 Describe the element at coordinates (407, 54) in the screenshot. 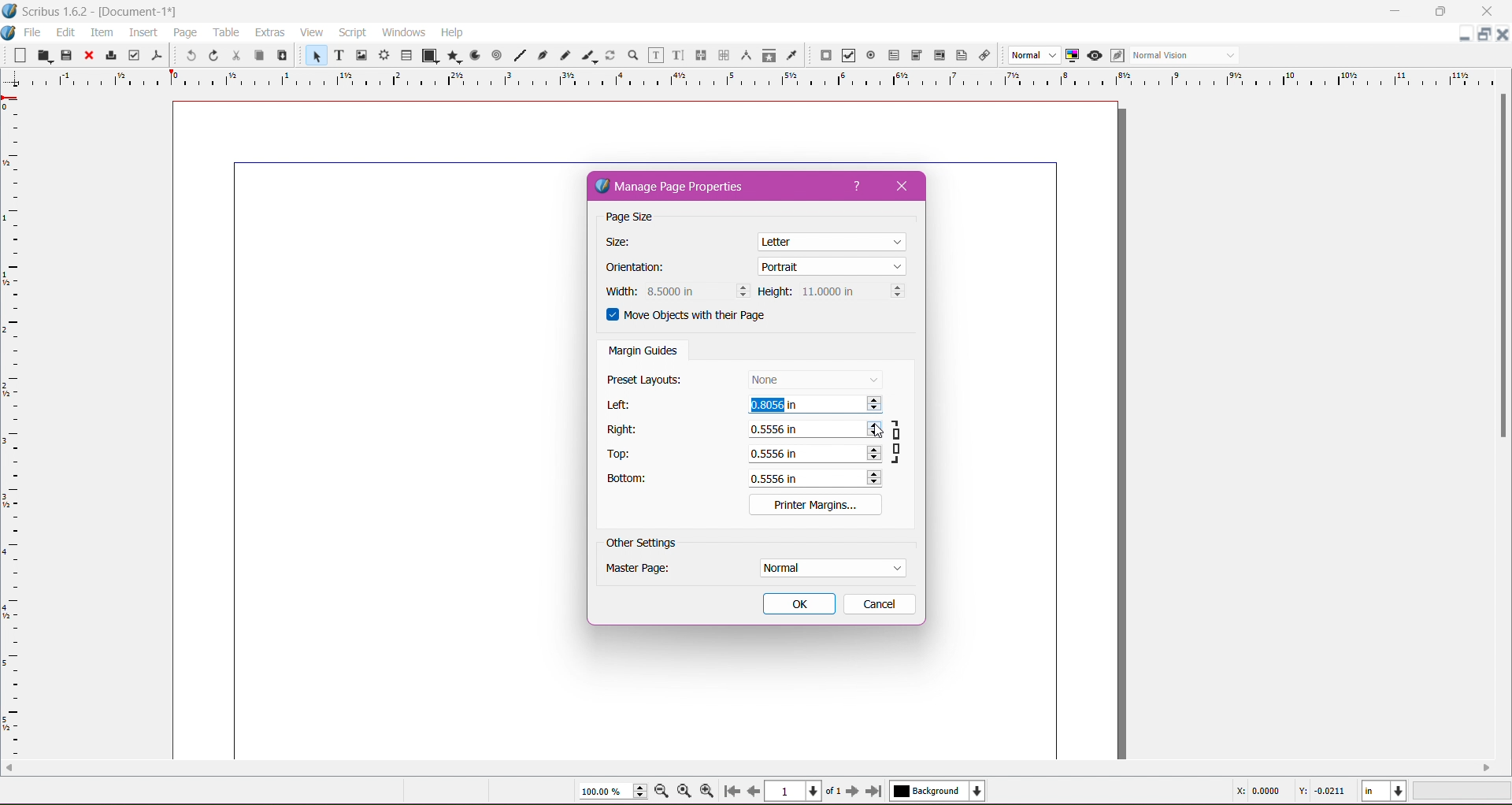

I see `Table` at that location.